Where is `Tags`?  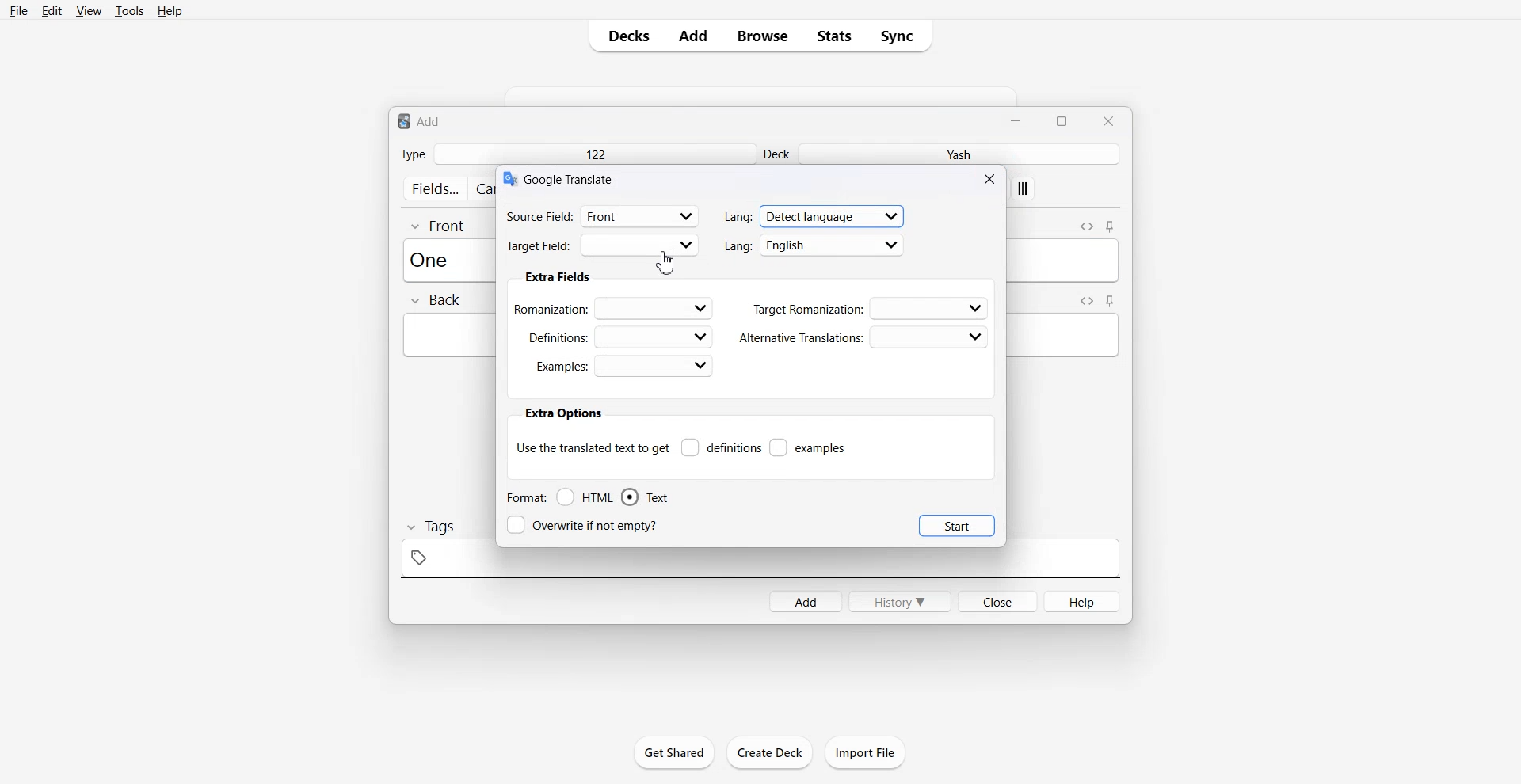
Tags is located at coordinates (429, 527).